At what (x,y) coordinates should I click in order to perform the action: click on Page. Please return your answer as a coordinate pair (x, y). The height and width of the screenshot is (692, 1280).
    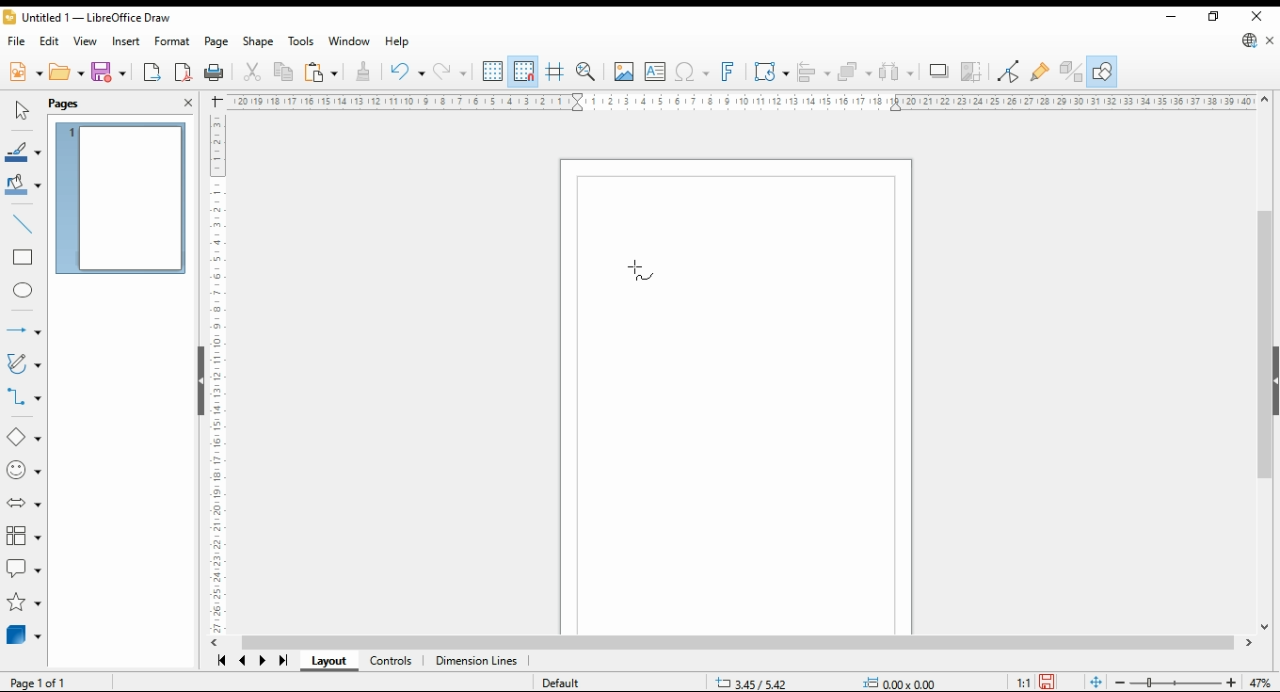
    Looking at the image, I should click on (737, 392).